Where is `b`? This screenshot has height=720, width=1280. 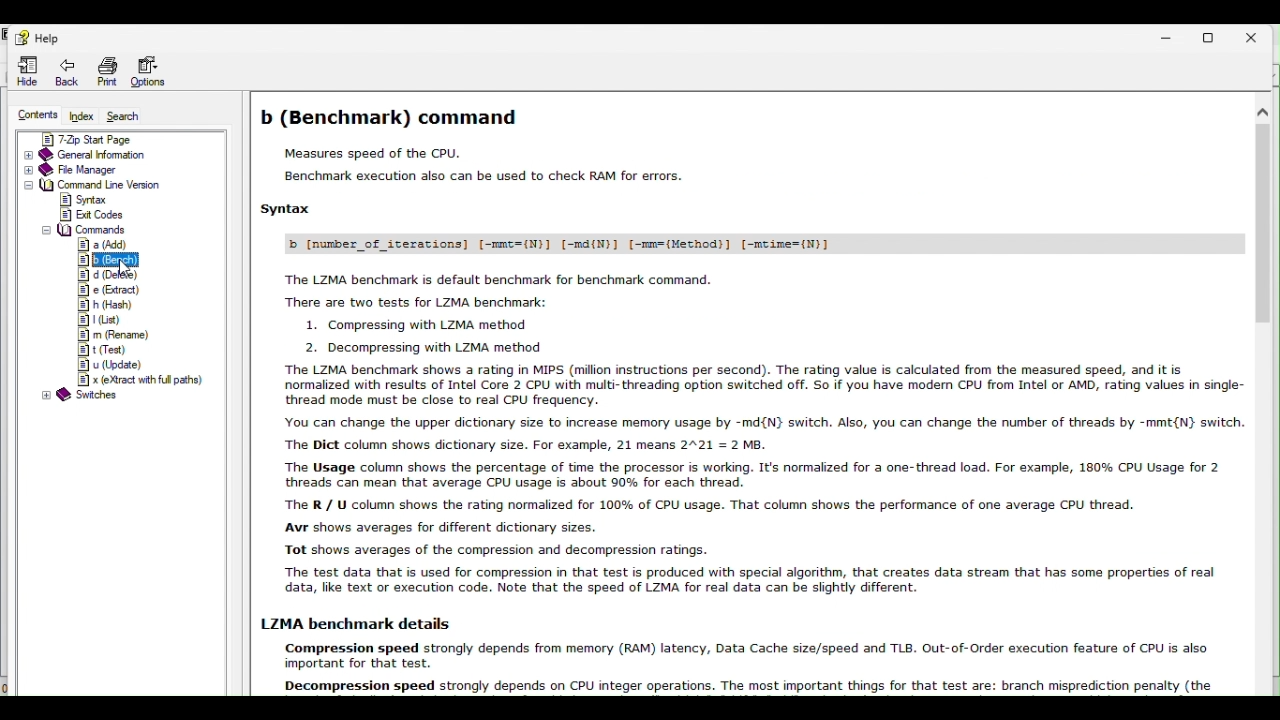 b is located at coordinates (110, 260).